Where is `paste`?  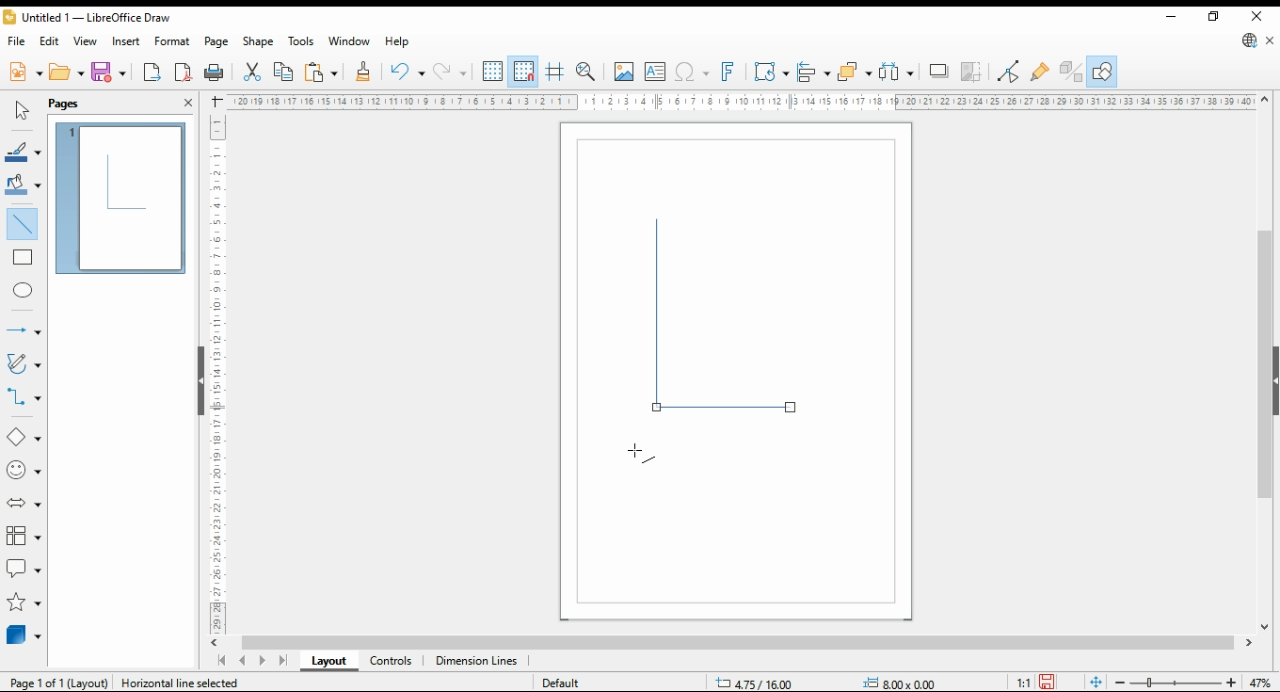
paste is located at coordinates (321, 72).